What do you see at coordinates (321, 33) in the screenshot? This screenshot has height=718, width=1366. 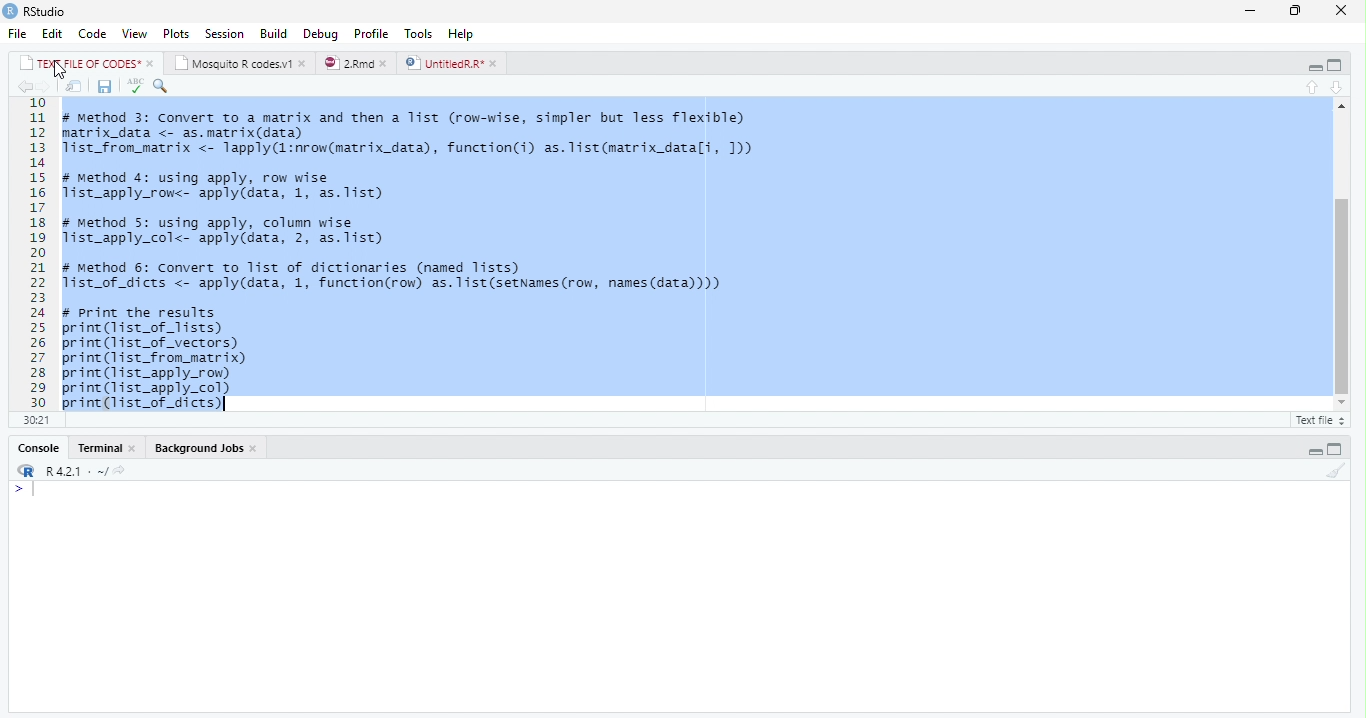 I see `Debug` at bounding box center [321, 33].